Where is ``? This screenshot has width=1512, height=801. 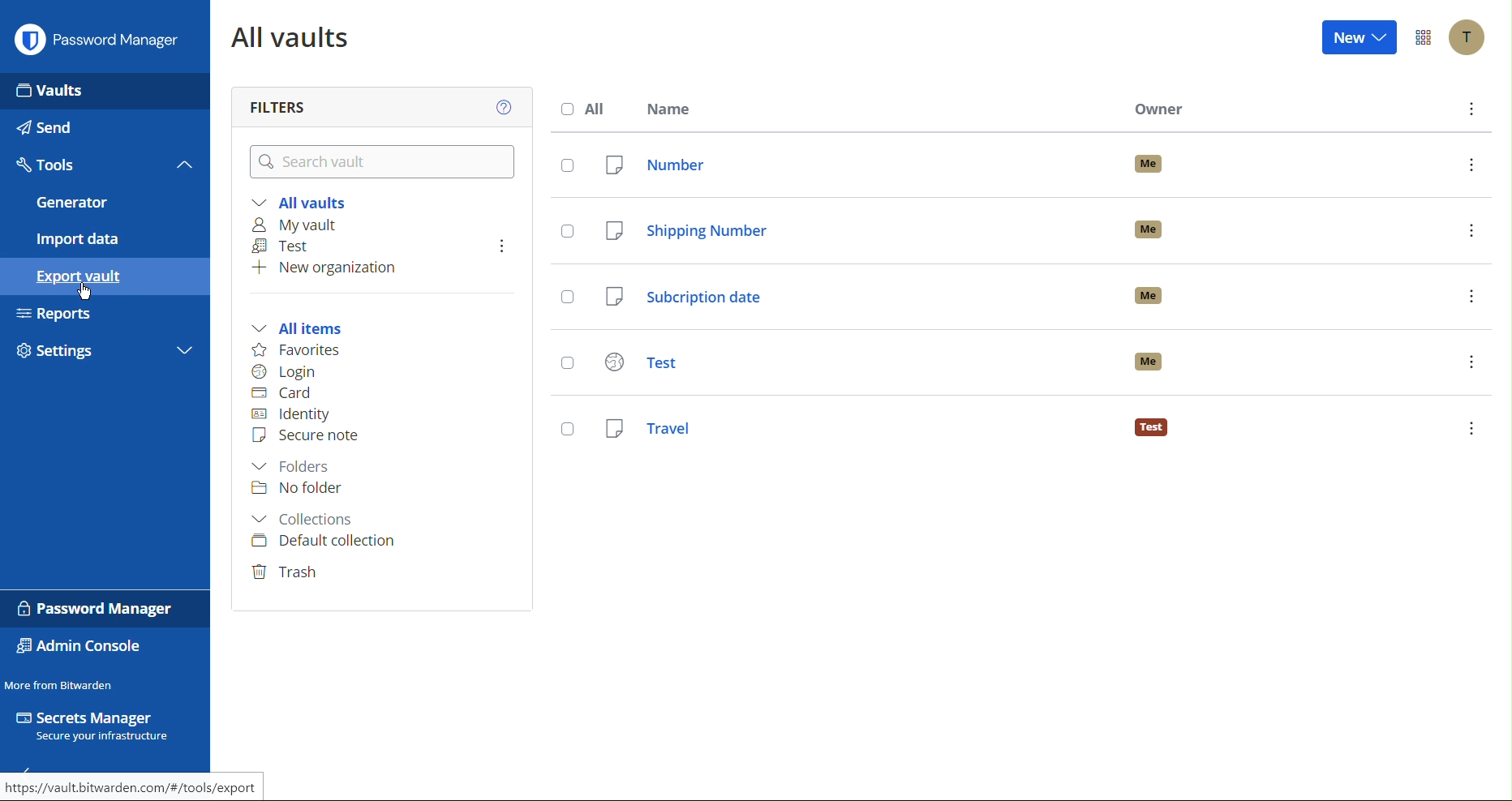
 is located at coordinates (566, 366).